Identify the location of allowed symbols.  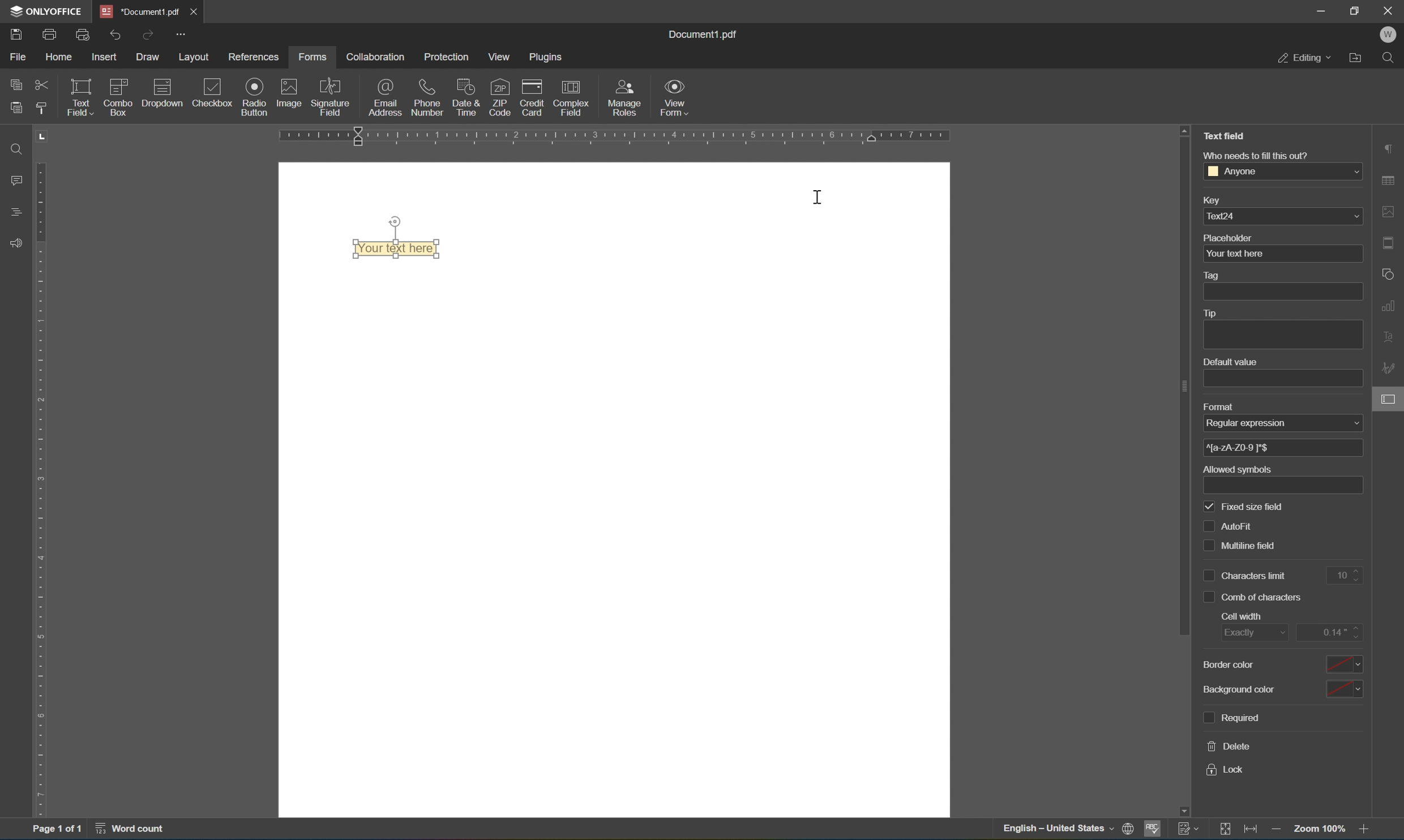
(1237, 469).